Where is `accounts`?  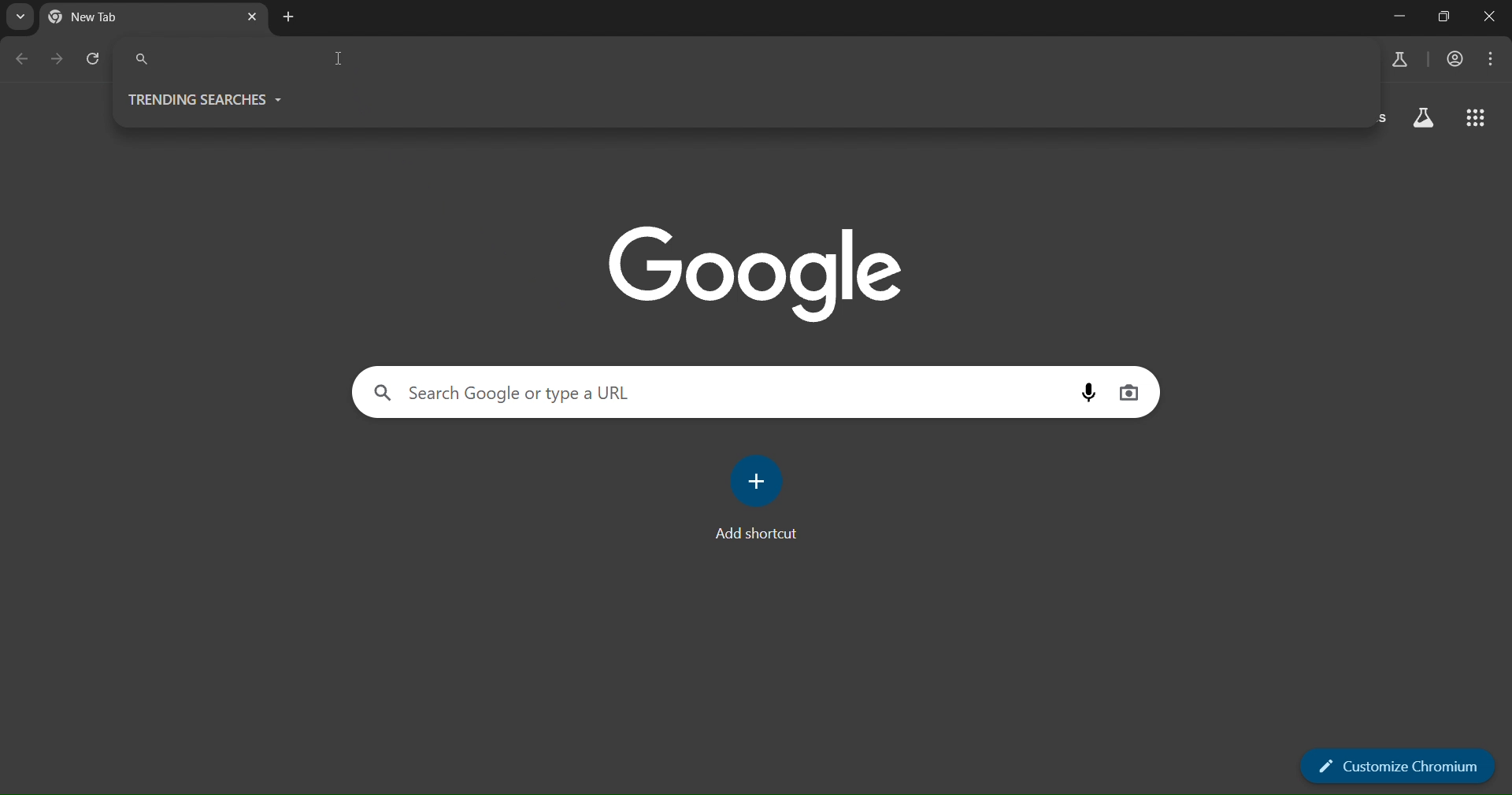 accounts is located at coordinates (1457, 59).